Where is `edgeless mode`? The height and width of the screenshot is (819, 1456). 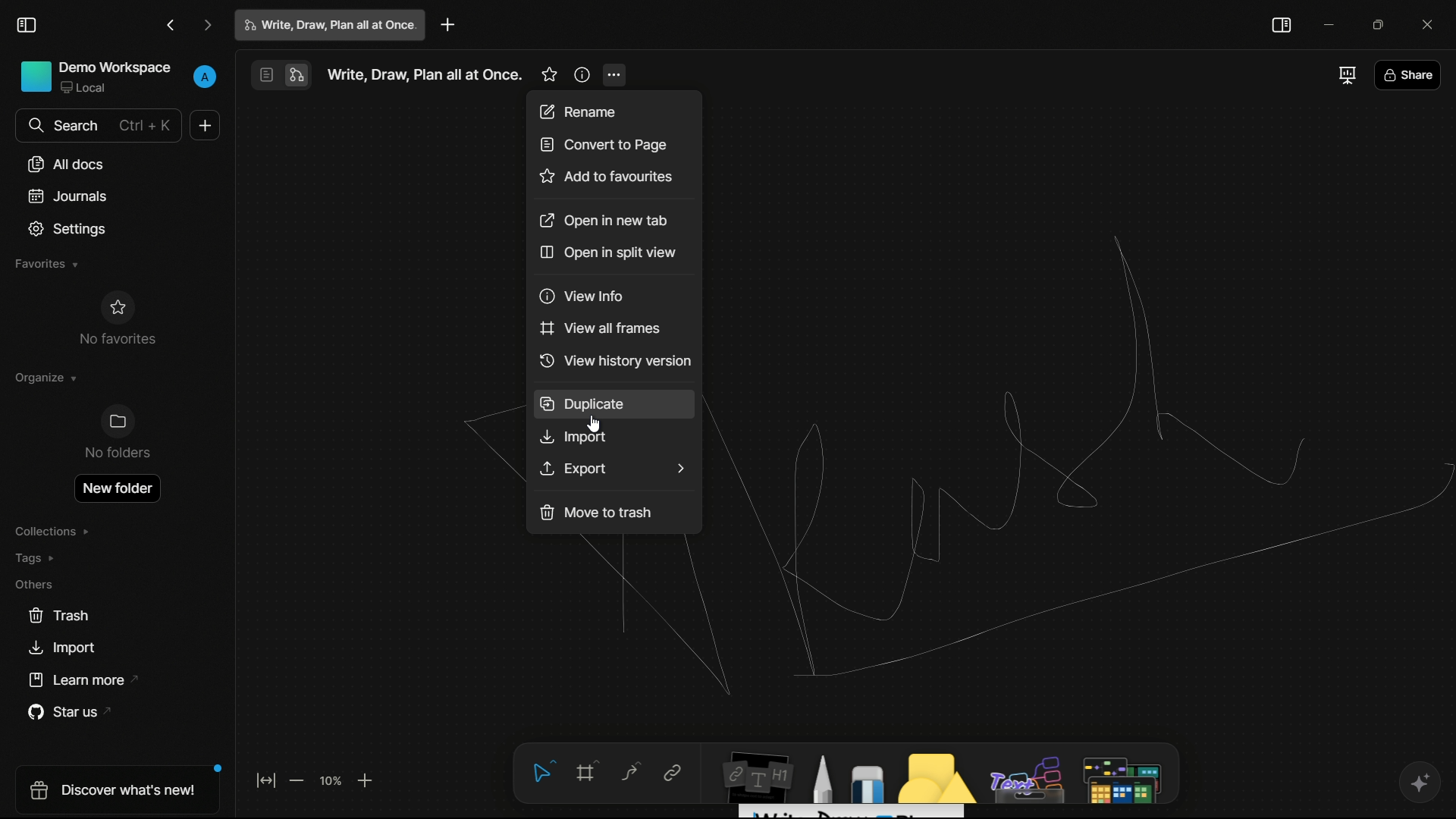 edgeless mode is located at coordinates (299, 76).